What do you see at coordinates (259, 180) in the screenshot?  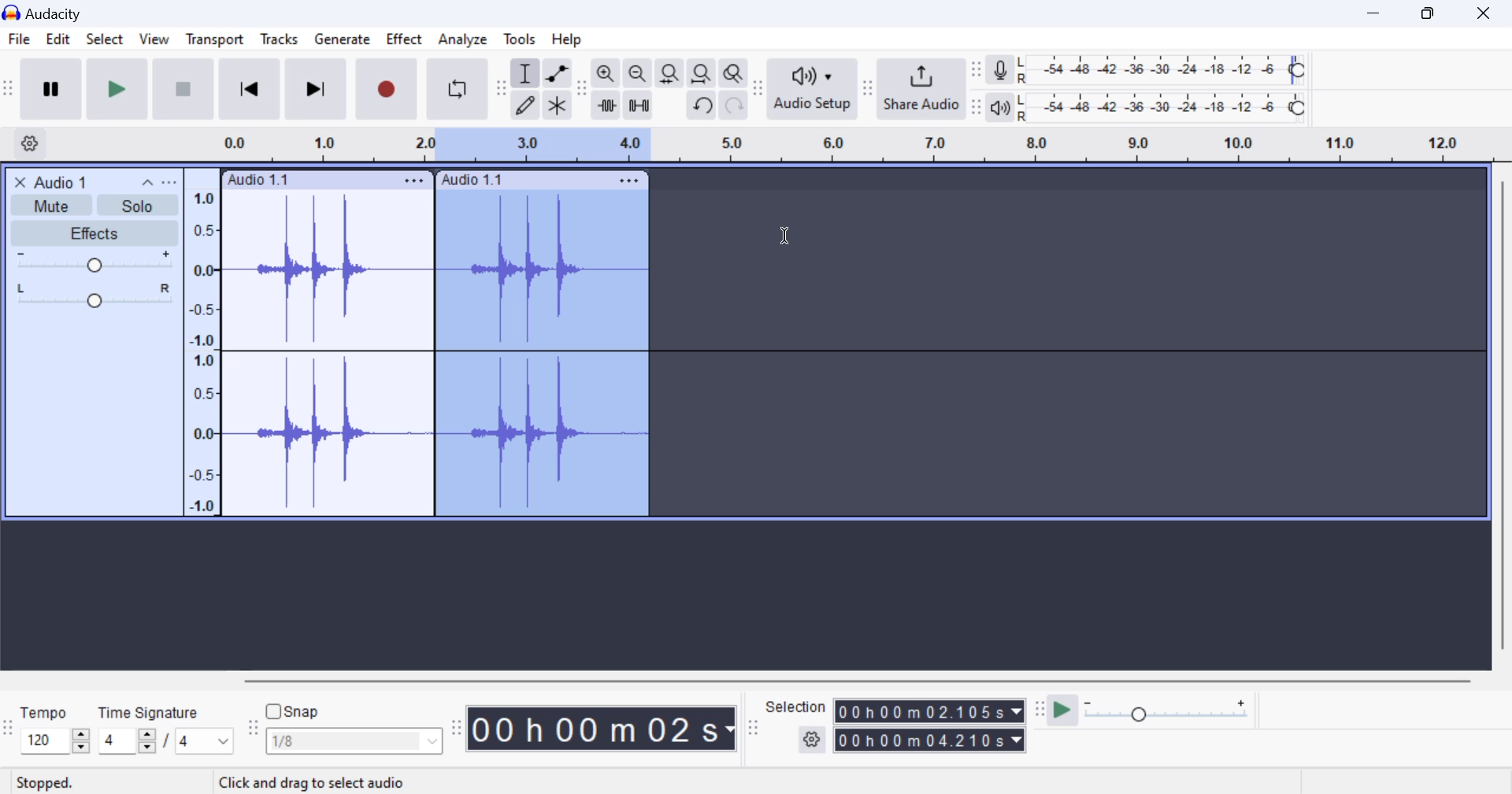 I see `Clip Label` at bounding box center [259, 180].